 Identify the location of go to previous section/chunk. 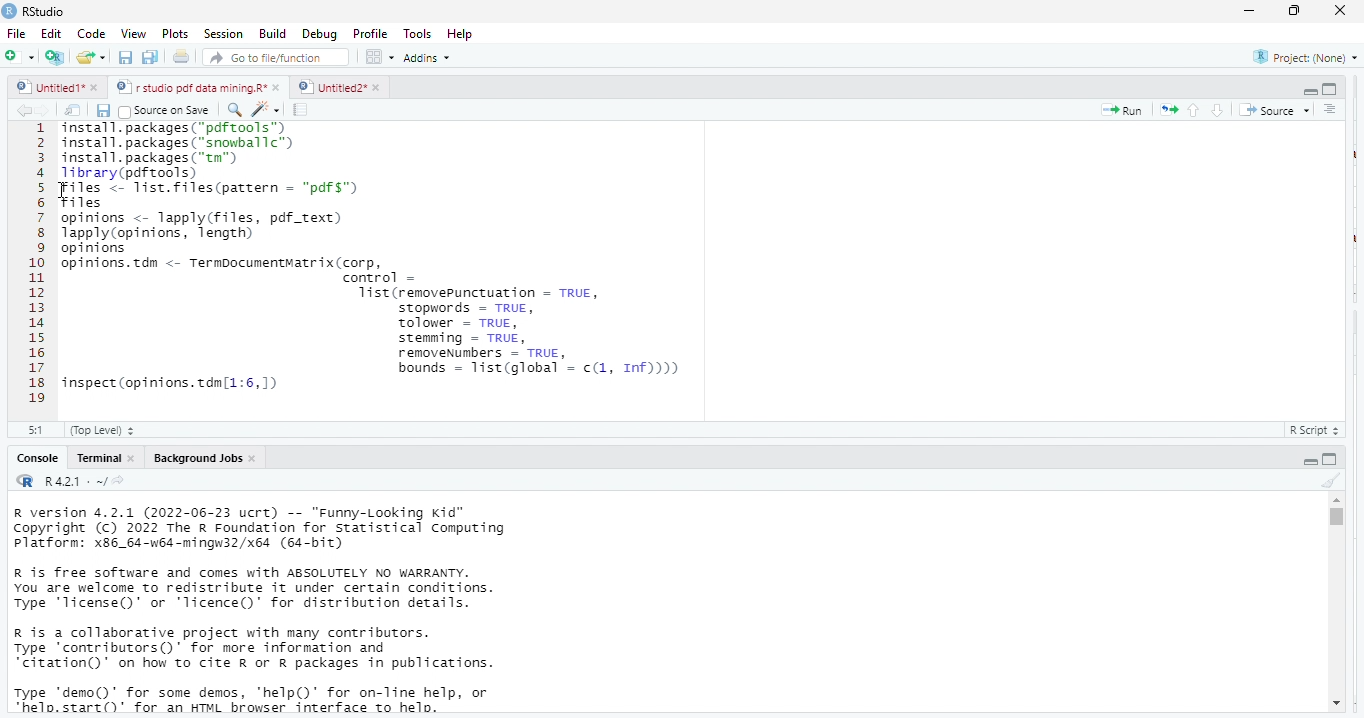
(1192, 110).